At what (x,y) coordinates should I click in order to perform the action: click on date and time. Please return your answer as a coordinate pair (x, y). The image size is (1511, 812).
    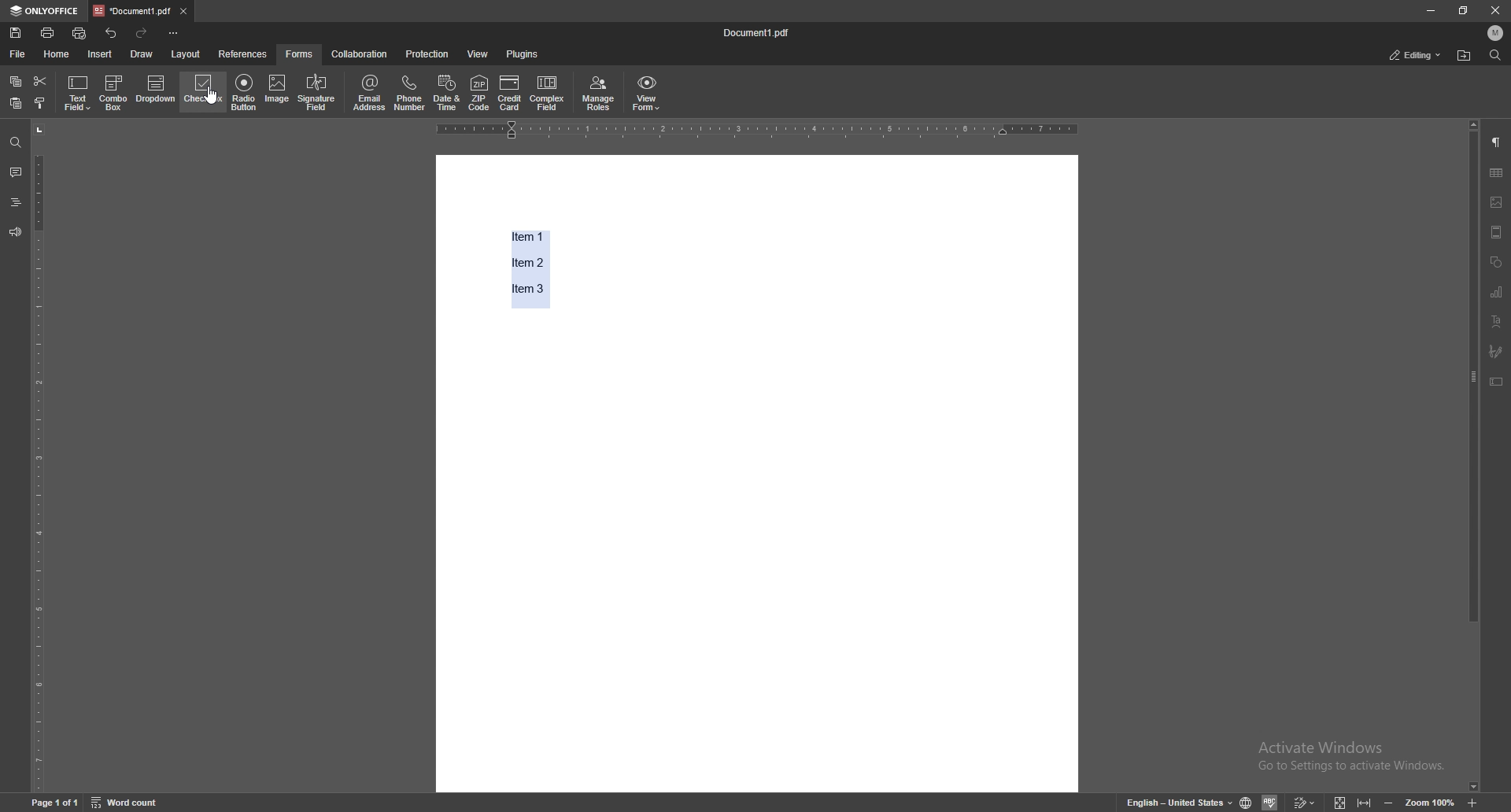
    Looking at the image, I should click on (447, 92).